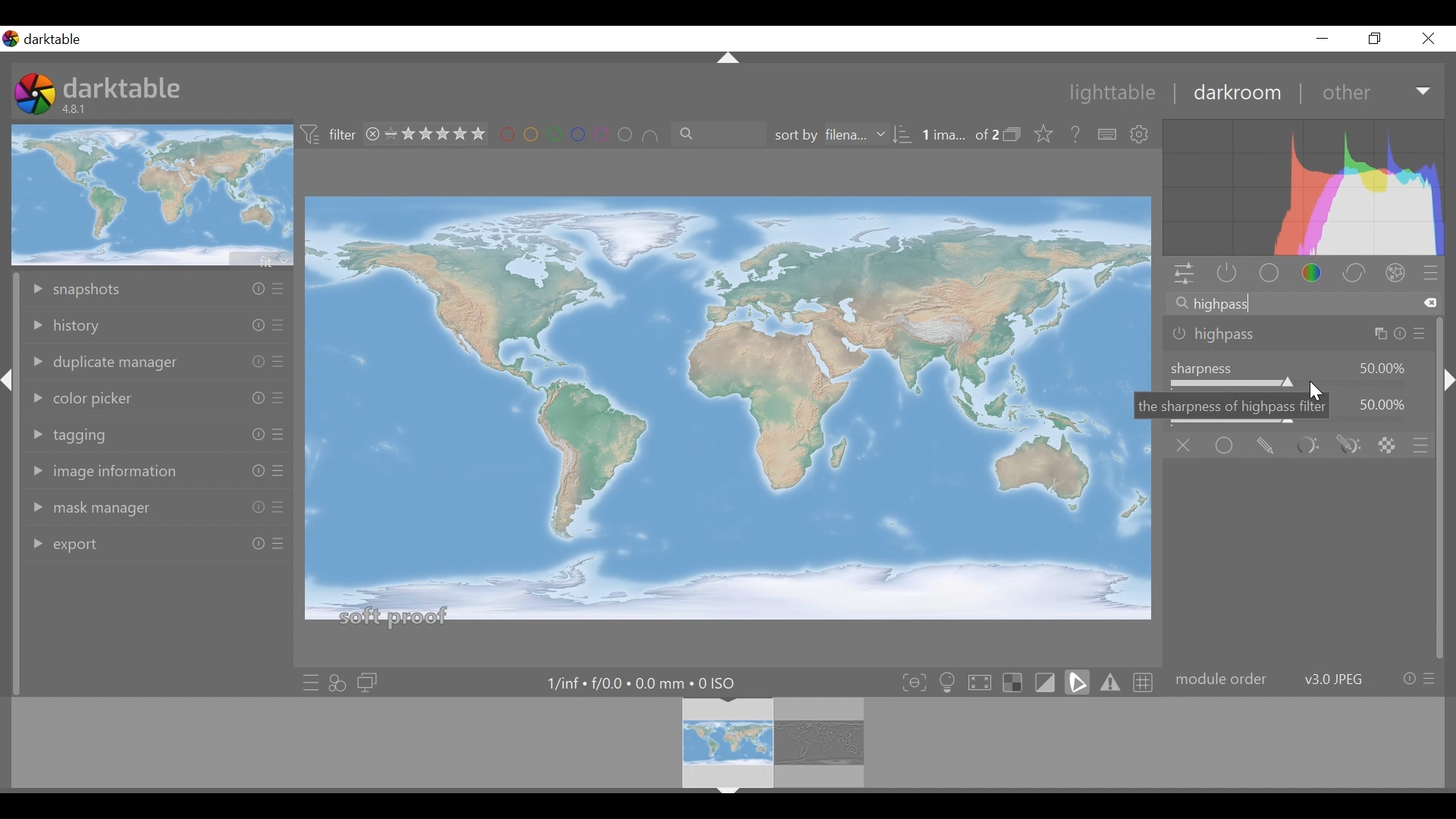 This screenshot has height=819, width=1456. Describe the element at coordinates (1348, 445) in the screenshot. I see `drawn and parametric mask` at that location.